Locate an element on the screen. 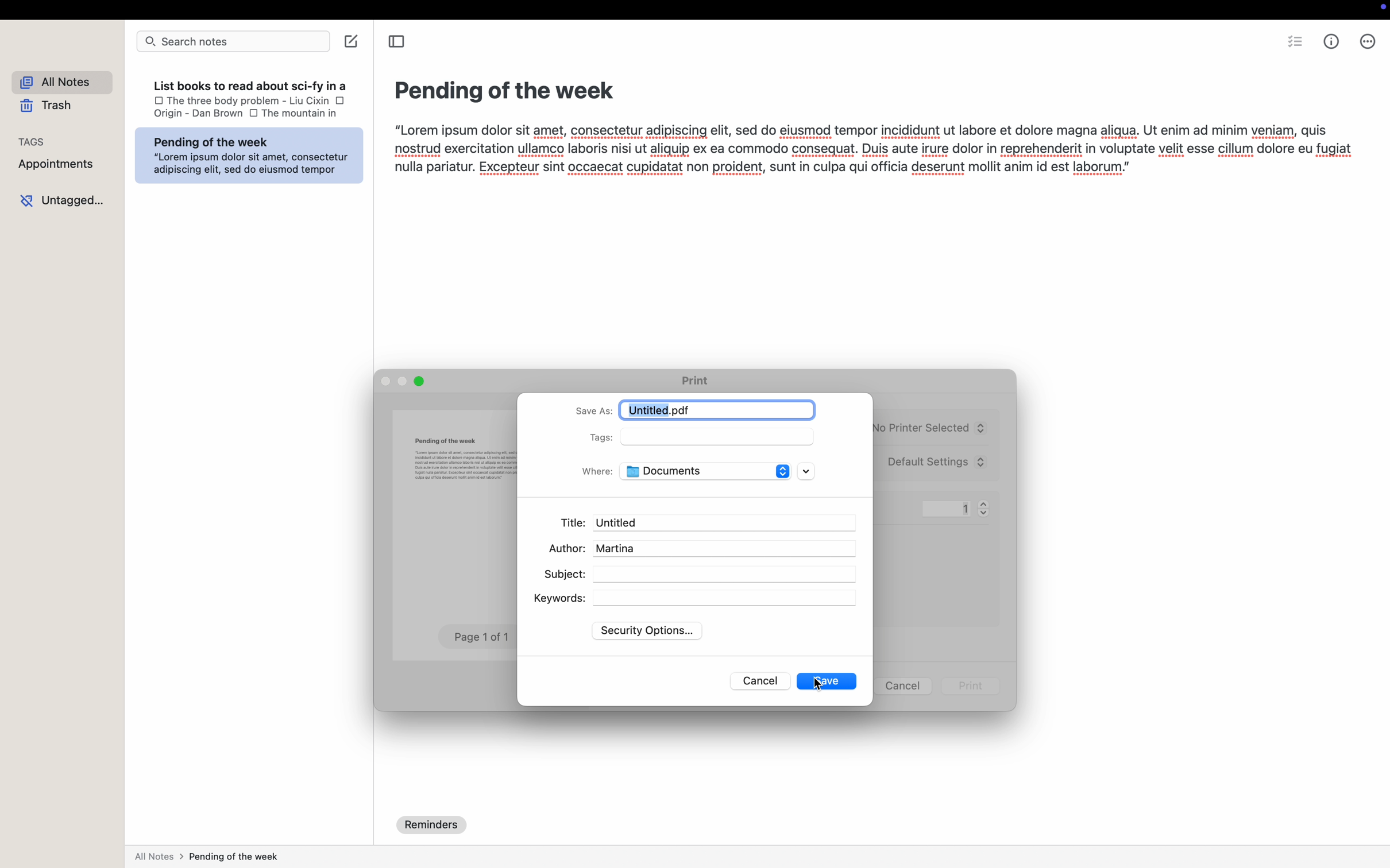 The image size is (1390, 868). cancel is located at coordinates (903, 686).